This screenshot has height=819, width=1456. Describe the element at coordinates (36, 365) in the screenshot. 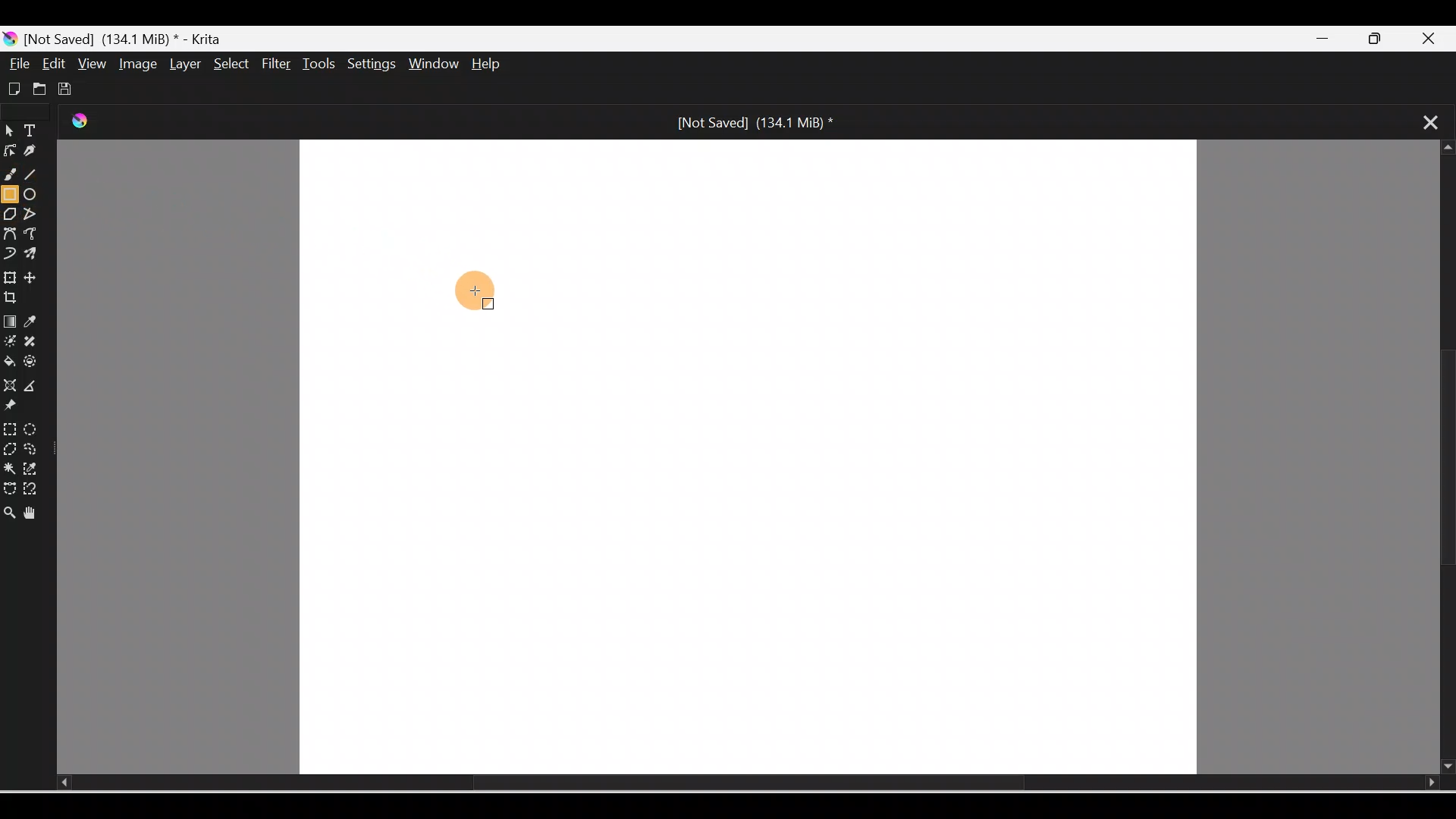

I see `Enclose and fill tool` at that location.